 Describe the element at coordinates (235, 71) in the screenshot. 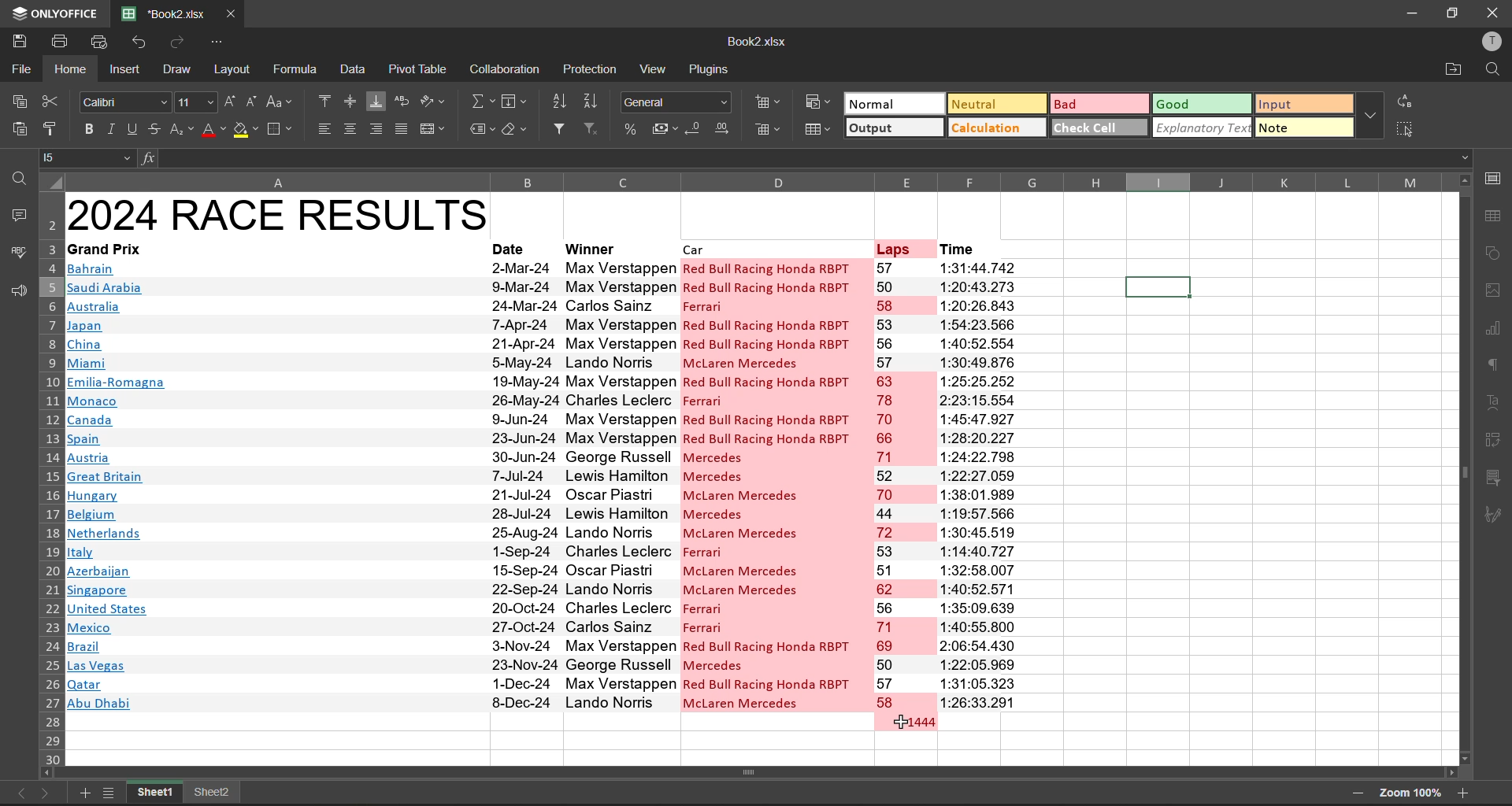

I see `layout` at that location.